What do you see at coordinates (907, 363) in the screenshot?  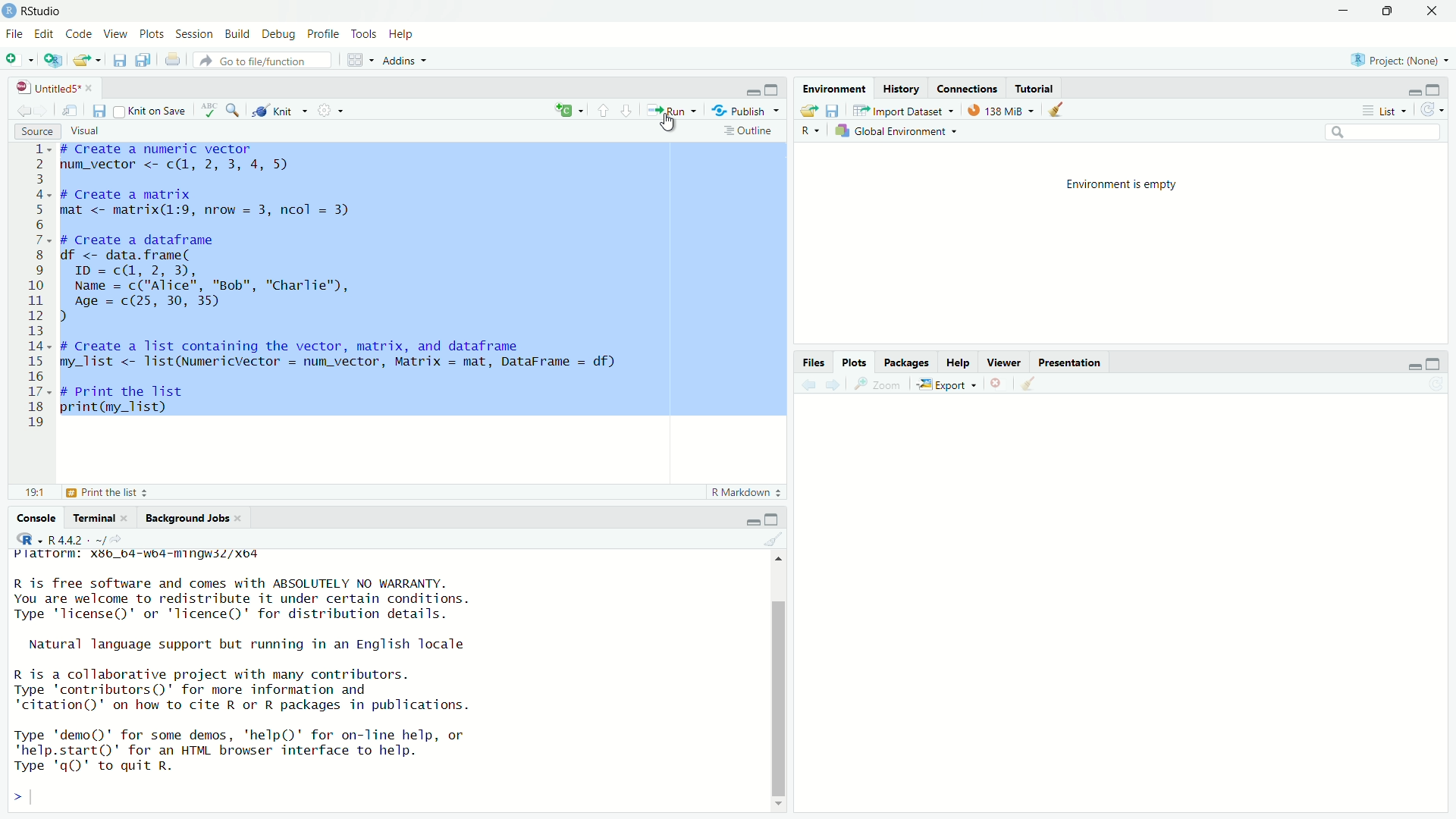 I see `Packages` at bounding box center [907, 363].